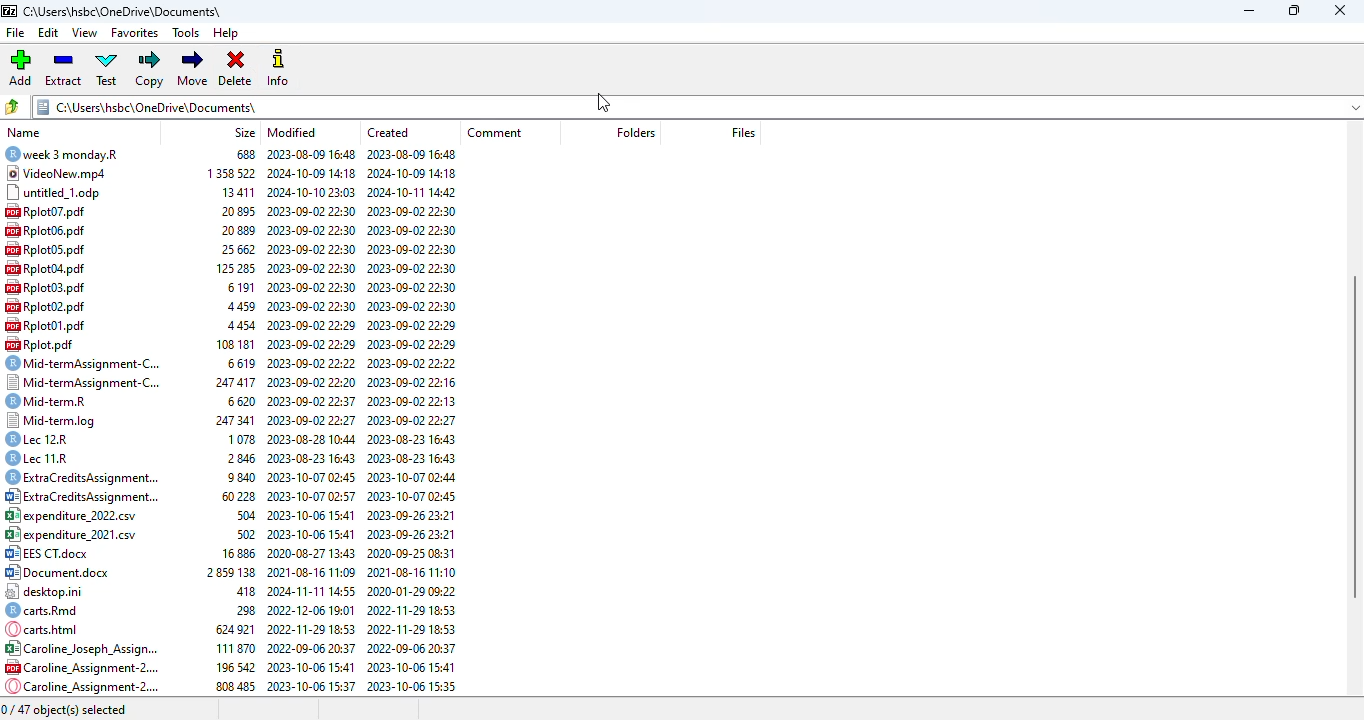 The height and width of the screenshot is (720, 1364). I want to click on 808485, so click(231, 685).